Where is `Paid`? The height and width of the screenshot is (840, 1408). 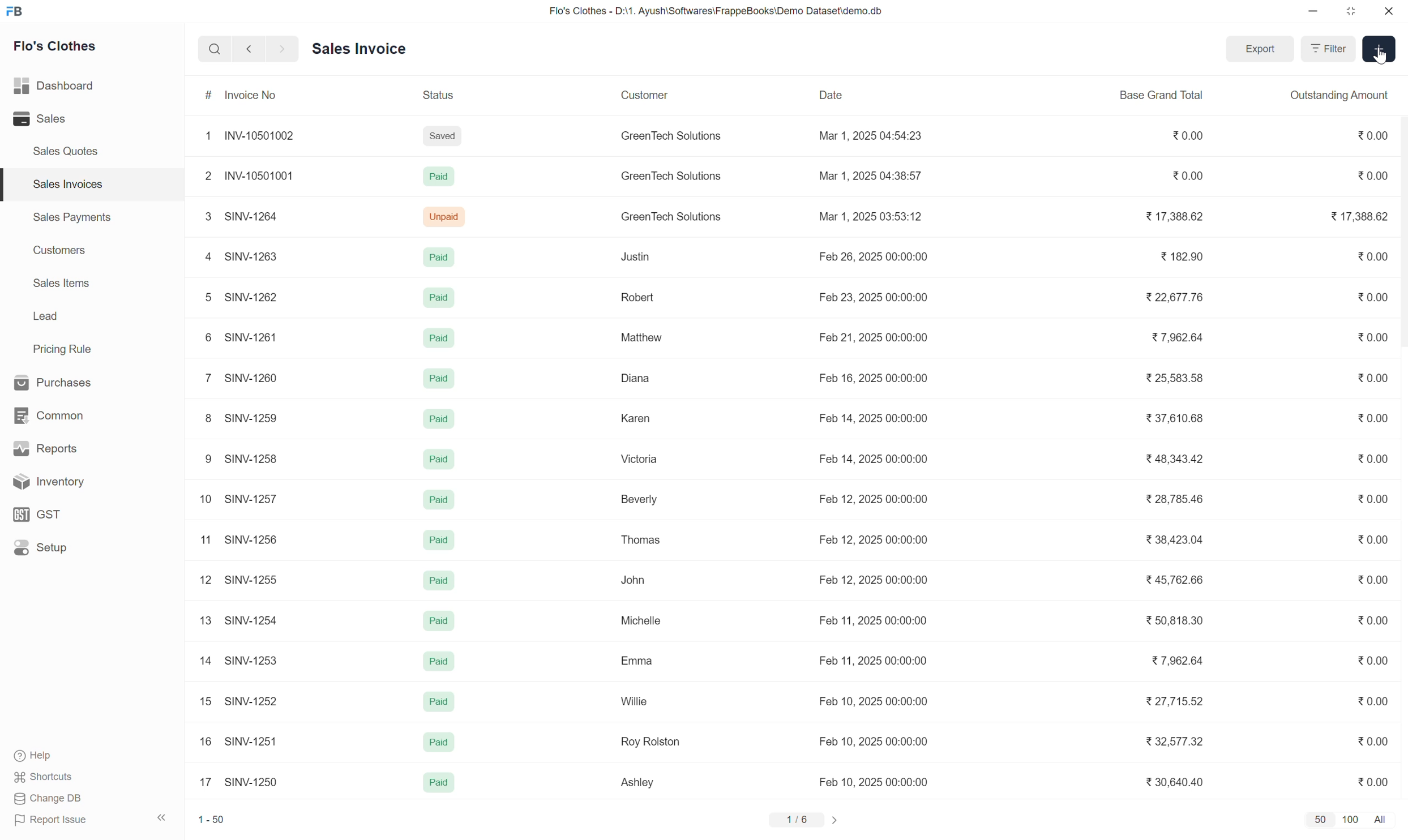 Paid is located at coordinates (433, 378).